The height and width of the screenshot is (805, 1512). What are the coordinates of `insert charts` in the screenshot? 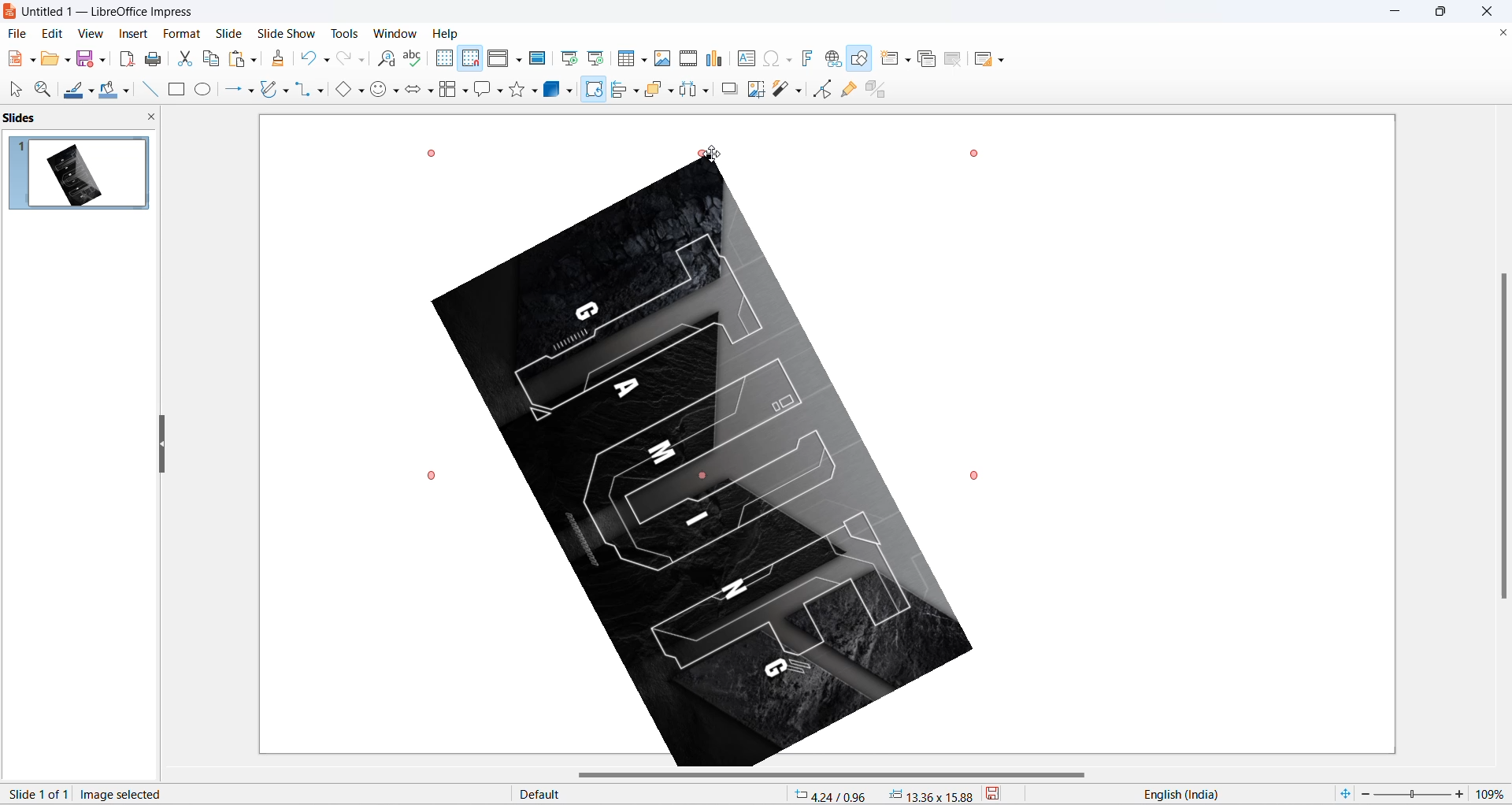 It's located at (715, 59).